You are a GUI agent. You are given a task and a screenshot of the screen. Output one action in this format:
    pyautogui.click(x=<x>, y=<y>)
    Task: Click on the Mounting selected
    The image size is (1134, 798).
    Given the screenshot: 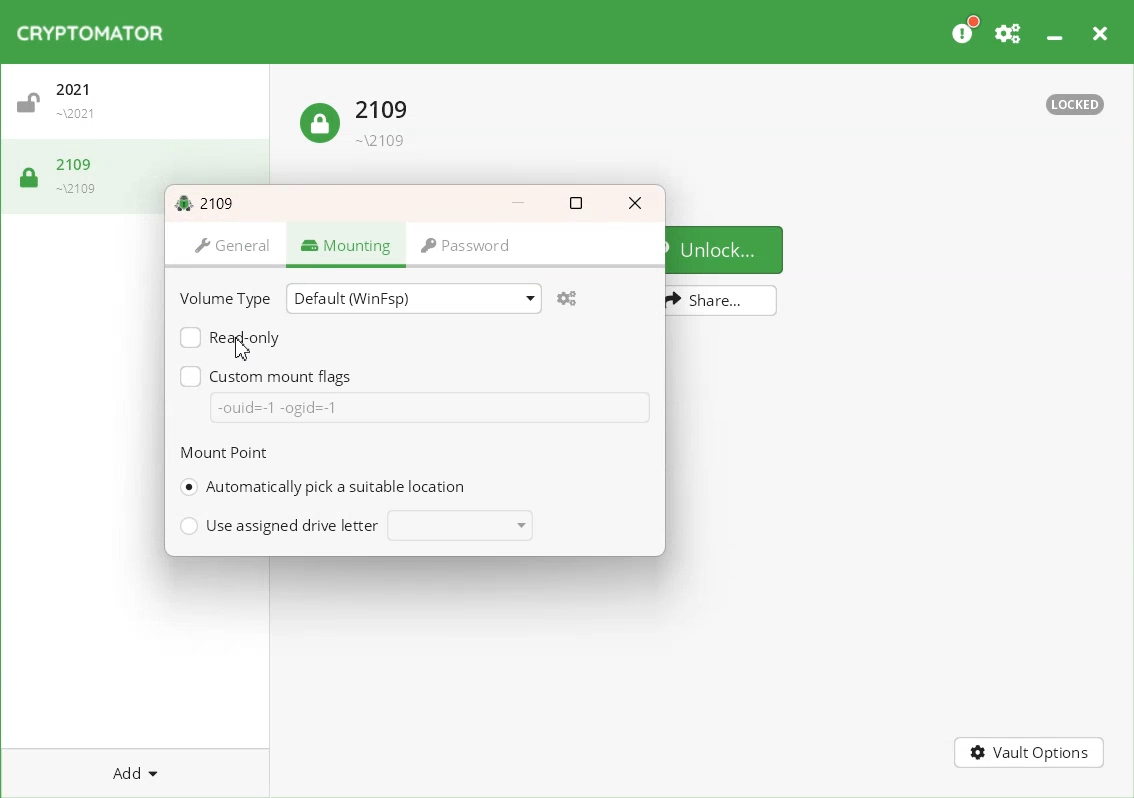 What is the action you would take?
    pyautogui.click(x=346, y=247)
    